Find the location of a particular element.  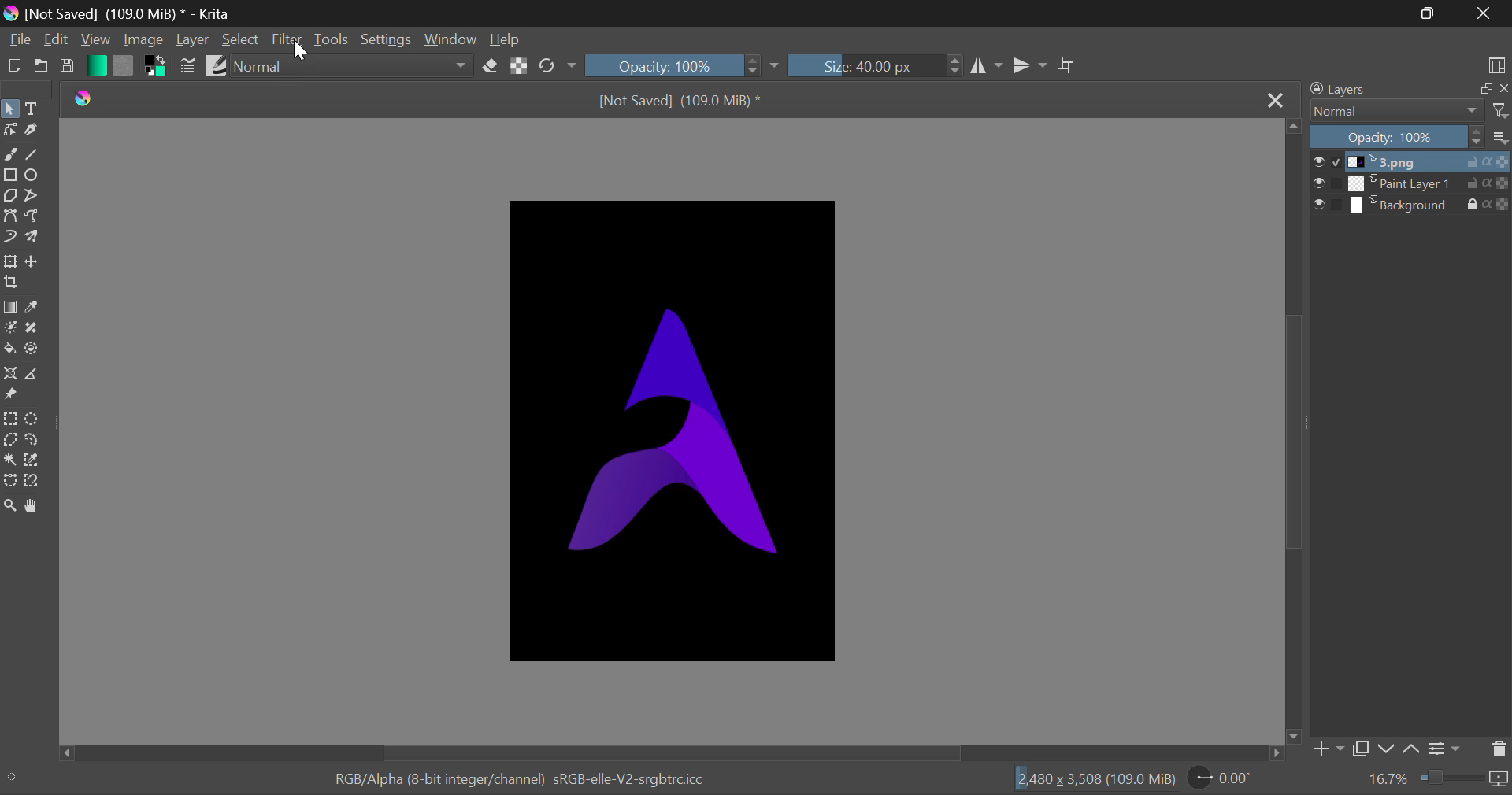

Colorize Mask Tool is located at coordinates (9, 327).